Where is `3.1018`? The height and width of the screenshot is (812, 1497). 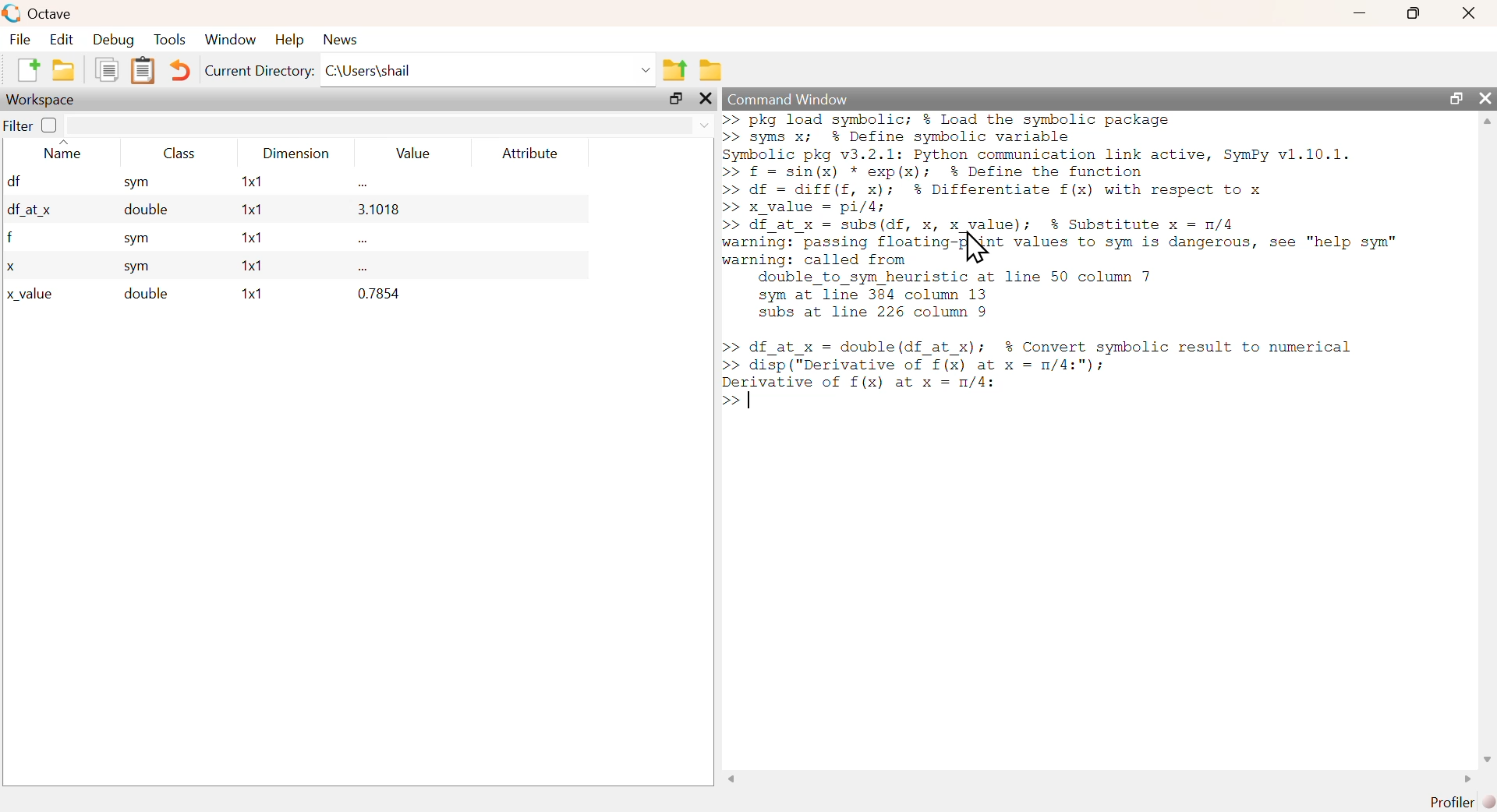 3.1018 is located at coordinates (379, 210).